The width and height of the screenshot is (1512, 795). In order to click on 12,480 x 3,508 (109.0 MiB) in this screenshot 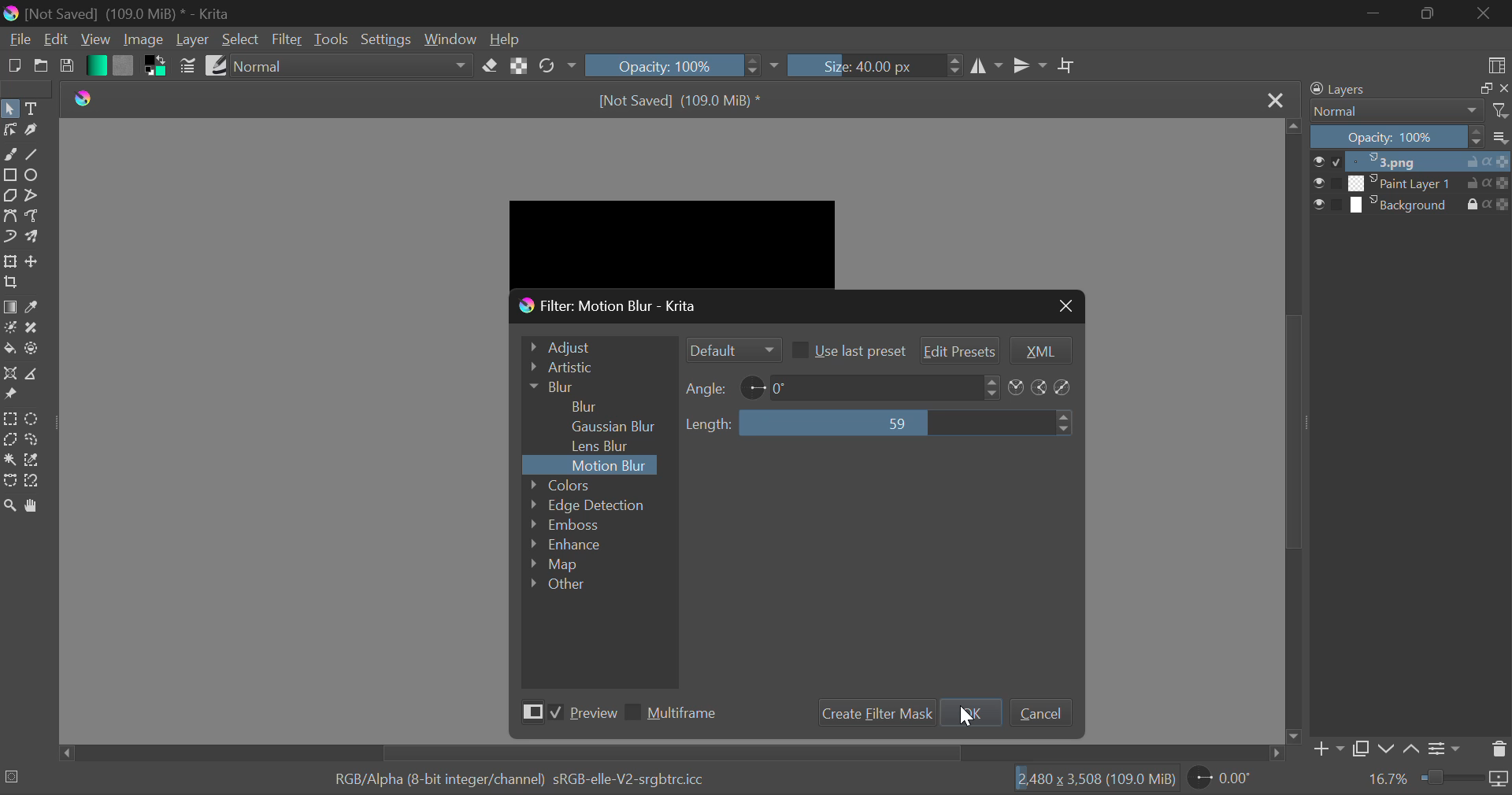, I will do `click(1095, 778)`.